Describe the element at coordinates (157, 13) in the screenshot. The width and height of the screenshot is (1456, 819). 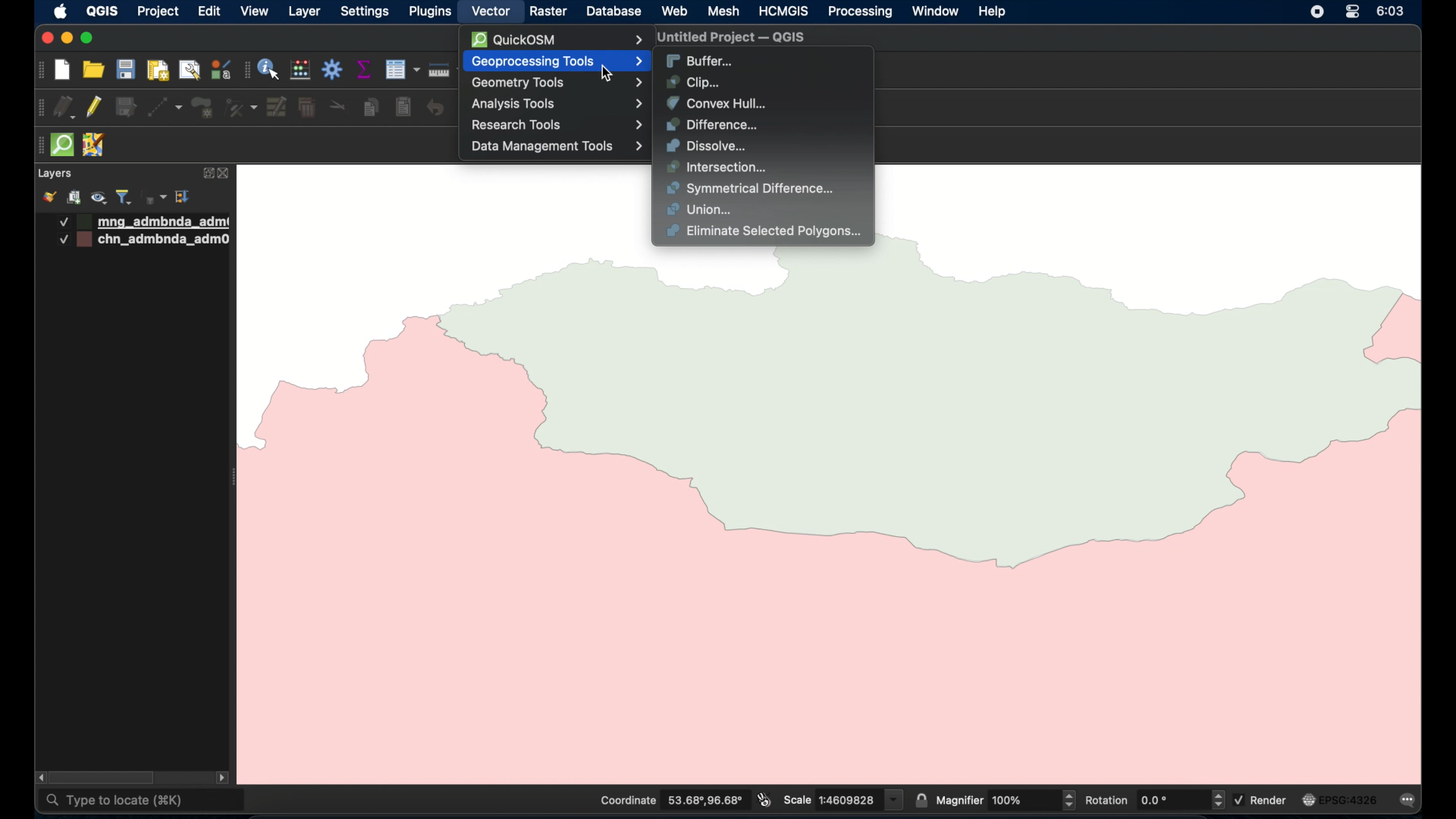
I see `project` at that location.